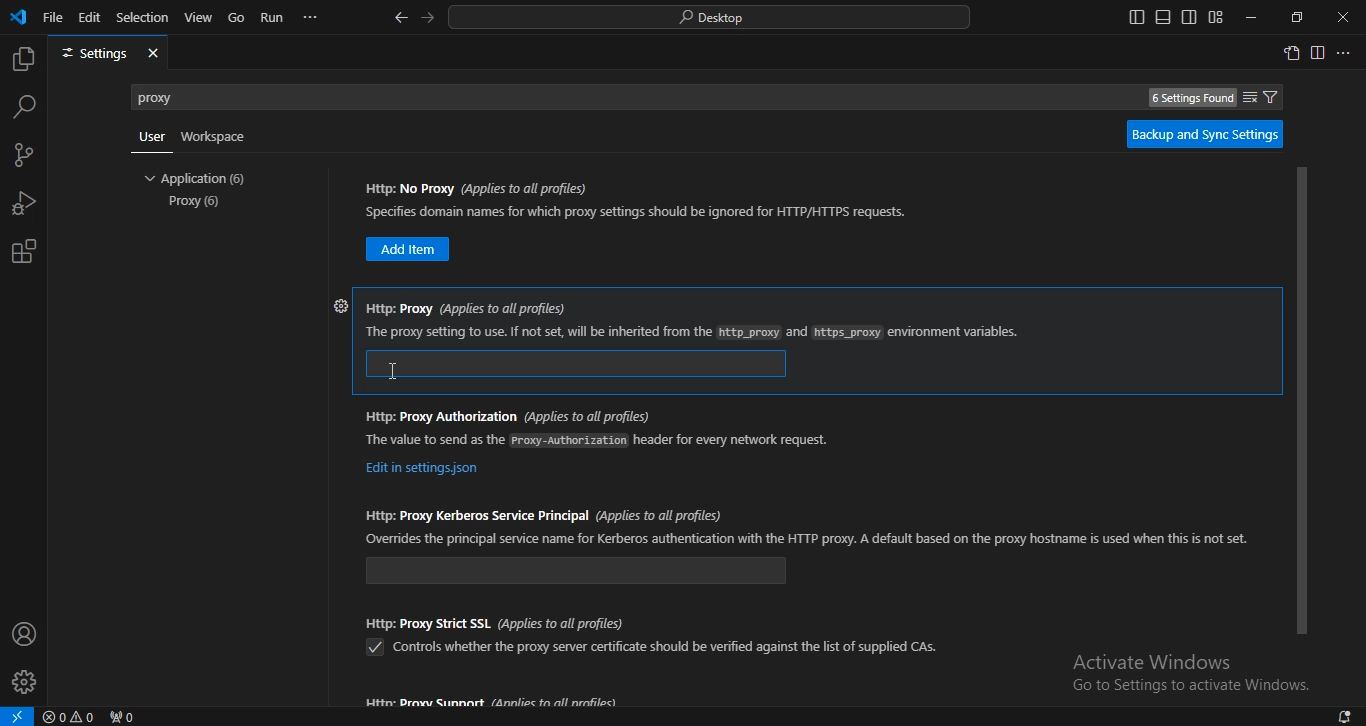 The width and height of the screenshot is (1366, 726). What do you see at coordinates (25, 155) in the screenshot?
I see `source control` at bounding box center [25, 155].